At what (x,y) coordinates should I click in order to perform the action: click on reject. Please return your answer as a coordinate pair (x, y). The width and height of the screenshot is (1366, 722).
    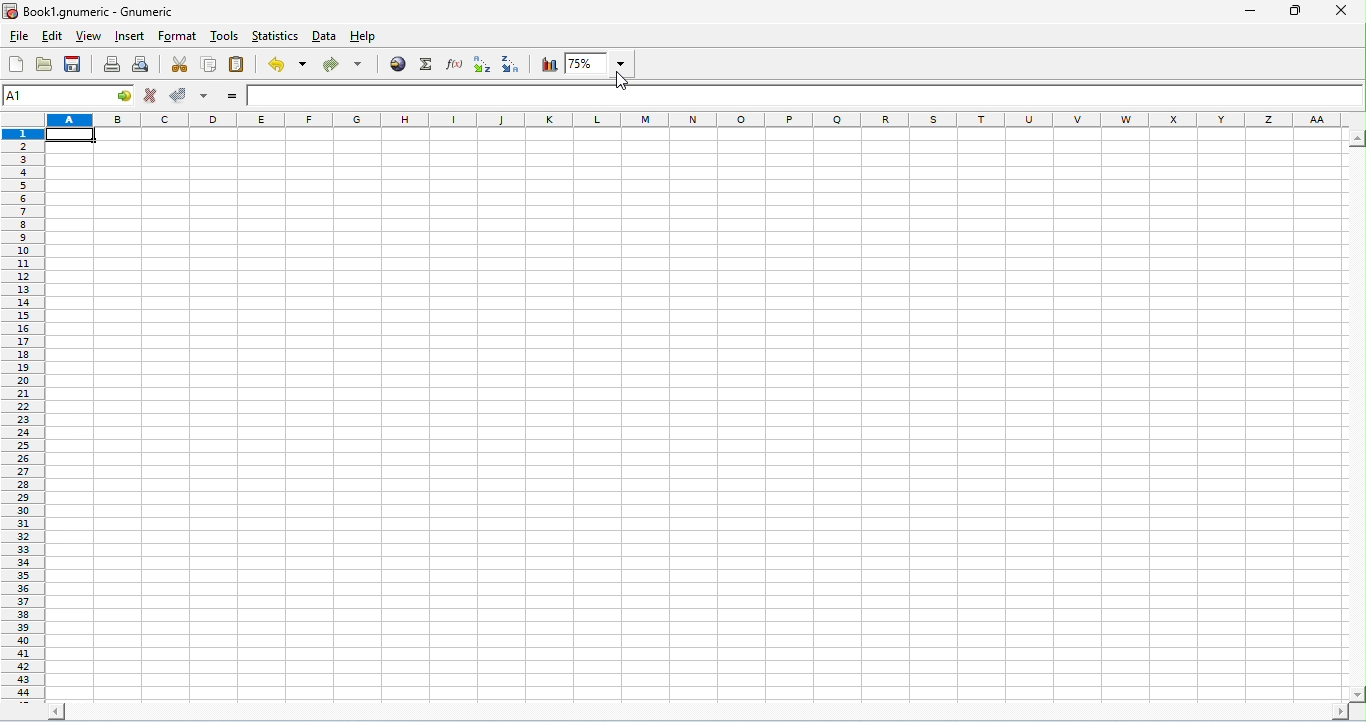
    Looking at the image, I should click on (150, 95).